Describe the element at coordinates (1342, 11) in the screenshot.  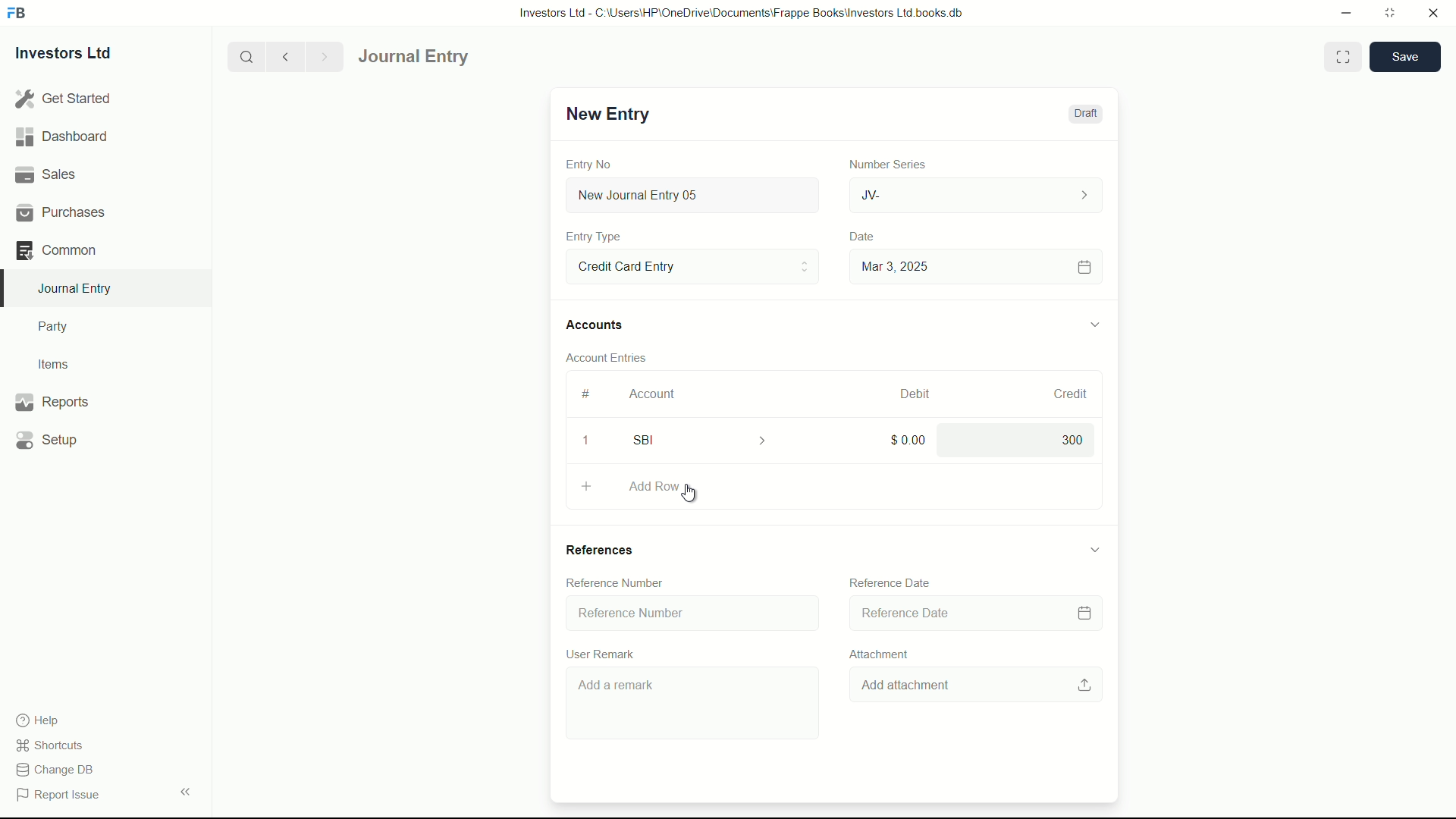
I see `minimize` at that location.